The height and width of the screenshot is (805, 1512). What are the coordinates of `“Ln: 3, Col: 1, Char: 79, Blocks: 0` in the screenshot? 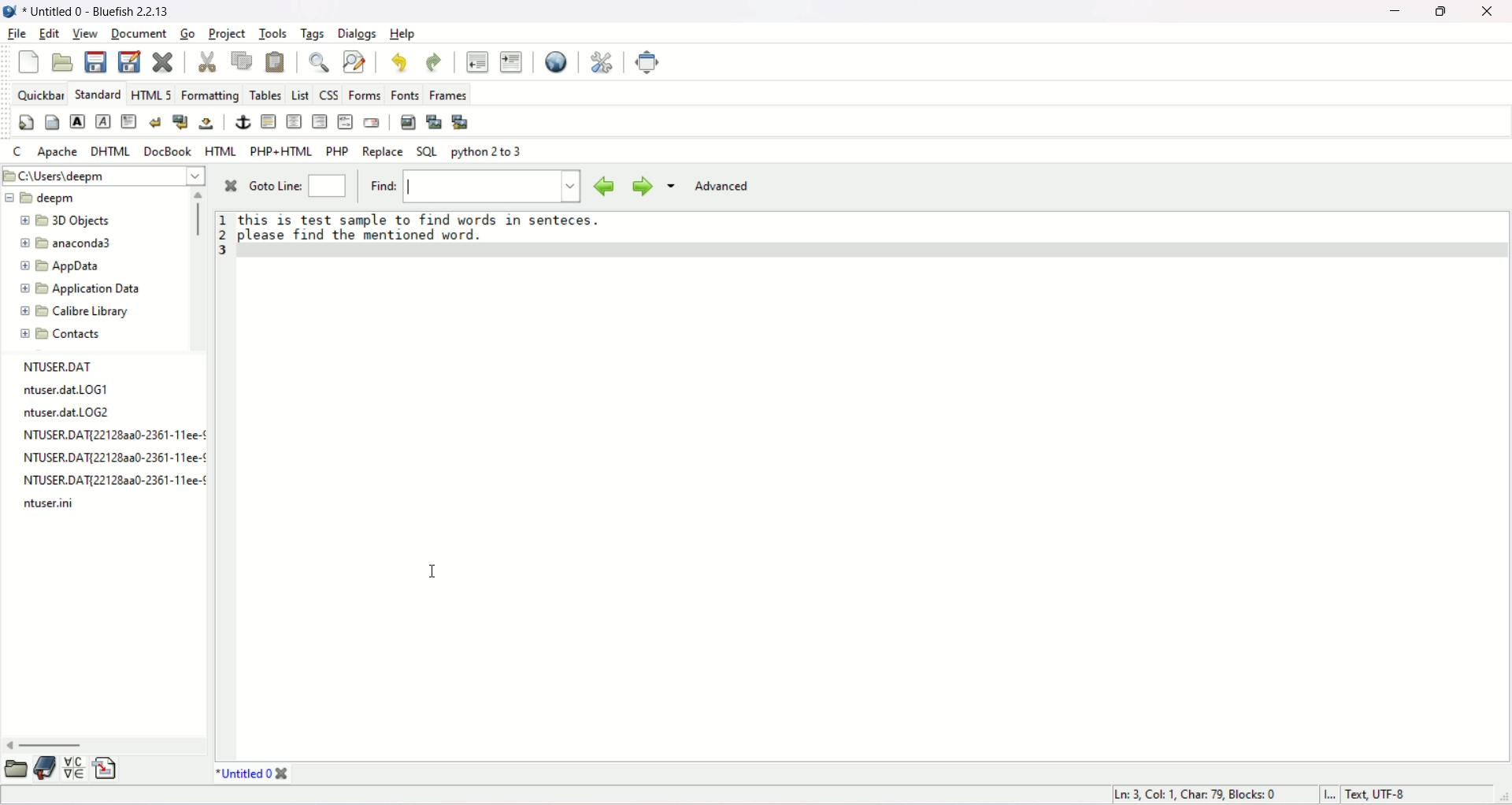 It's located at (1200, 793).